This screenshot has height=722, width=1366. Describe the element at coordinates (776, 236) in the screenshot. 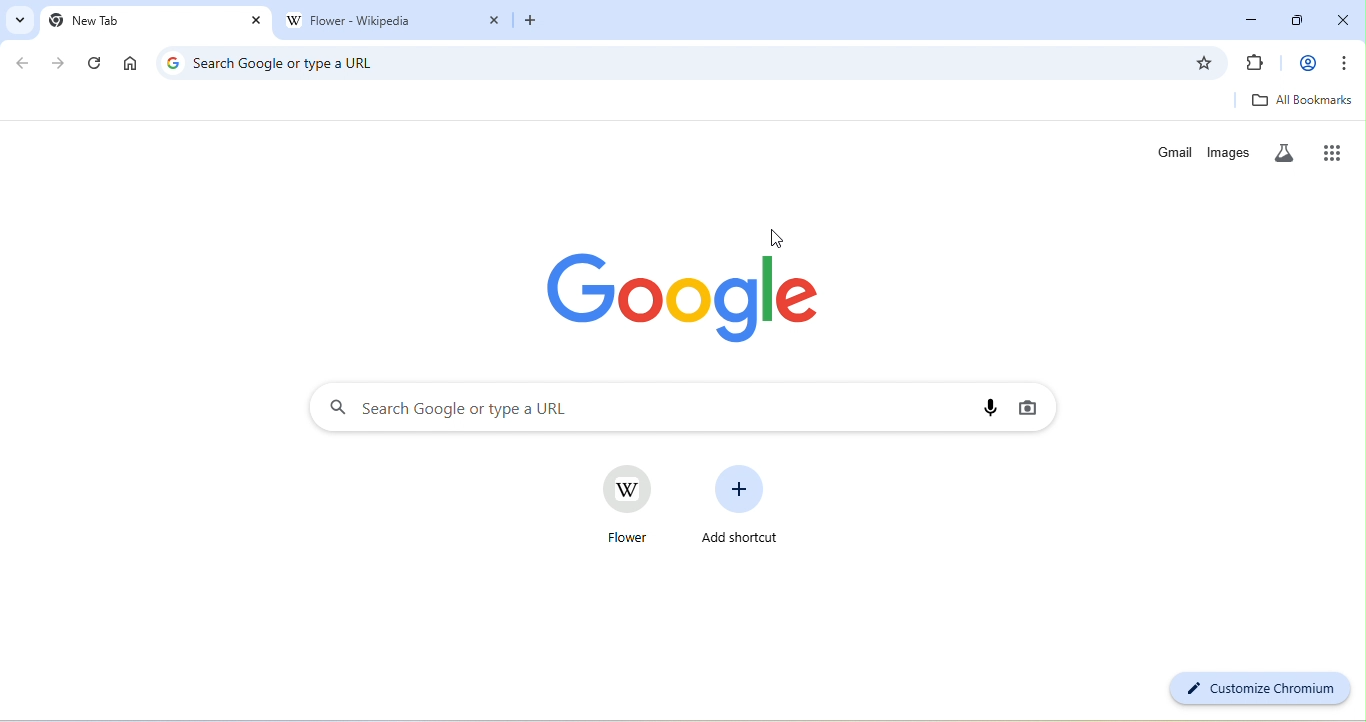

I see `cursor` at that location.